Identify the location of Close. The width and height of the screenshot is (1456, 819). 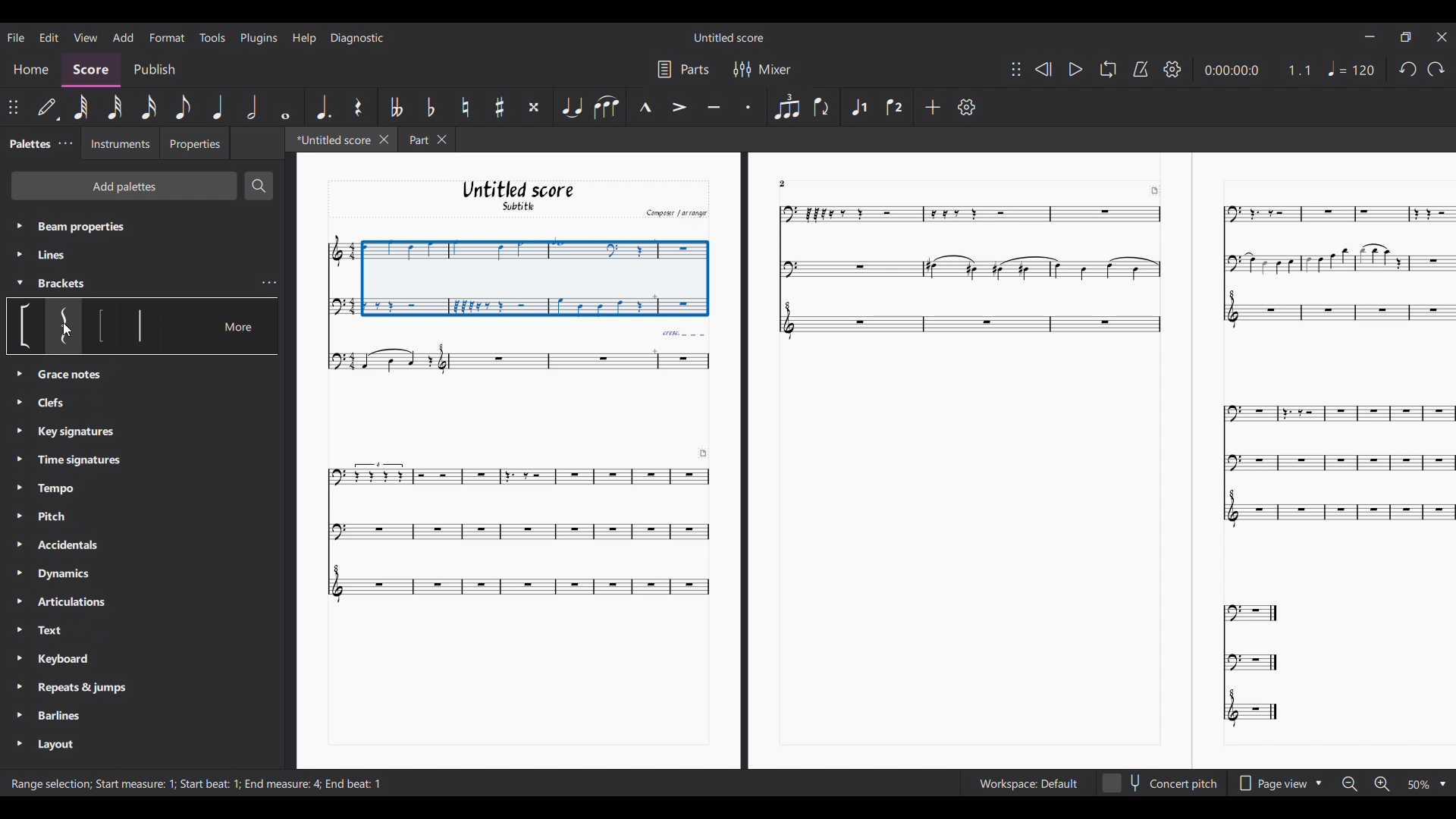
(384, 140).